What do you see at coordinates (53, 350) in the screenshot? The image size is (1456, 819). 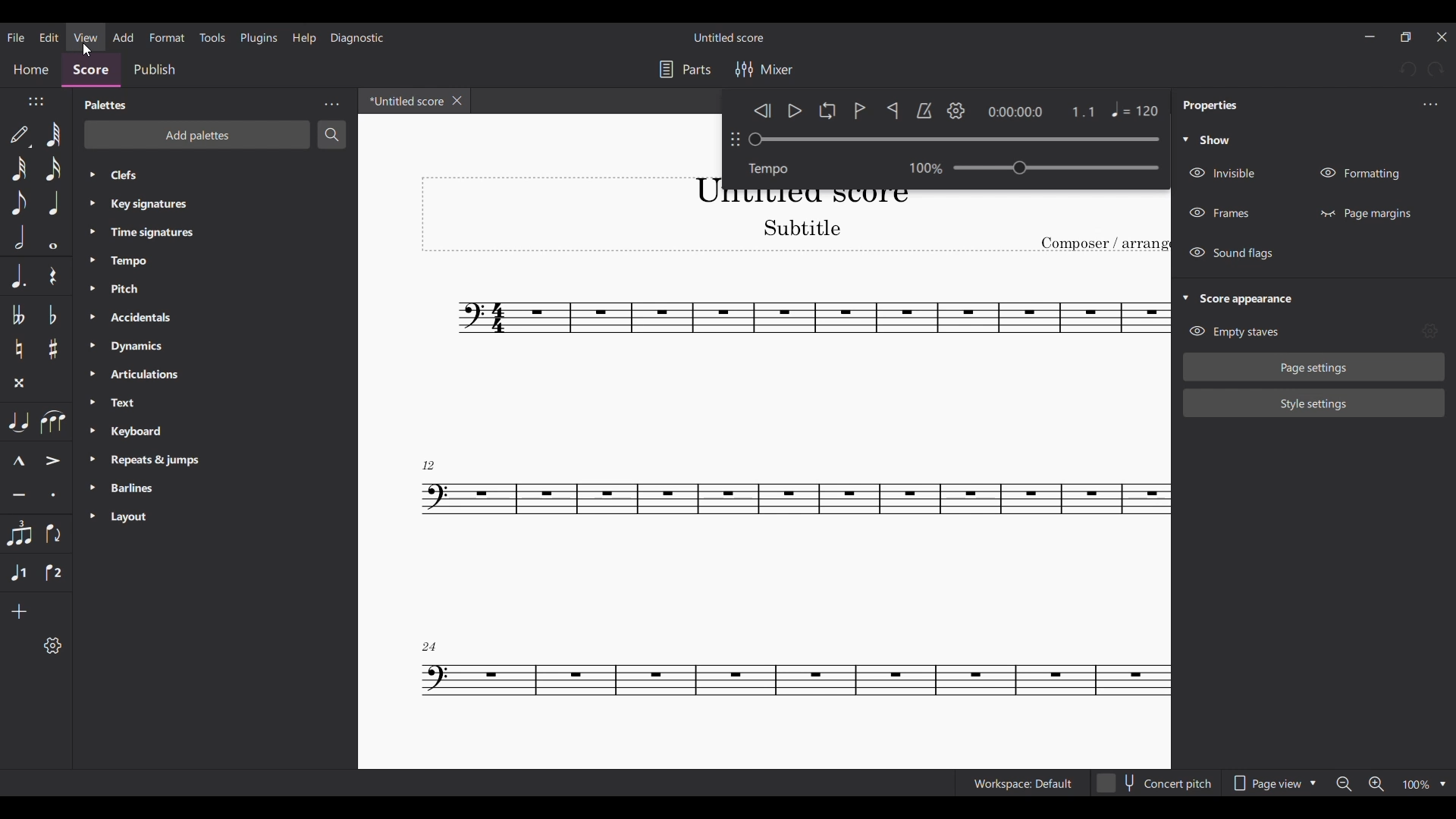 I see `Toggle sharp` at bounding box center [53, 350].